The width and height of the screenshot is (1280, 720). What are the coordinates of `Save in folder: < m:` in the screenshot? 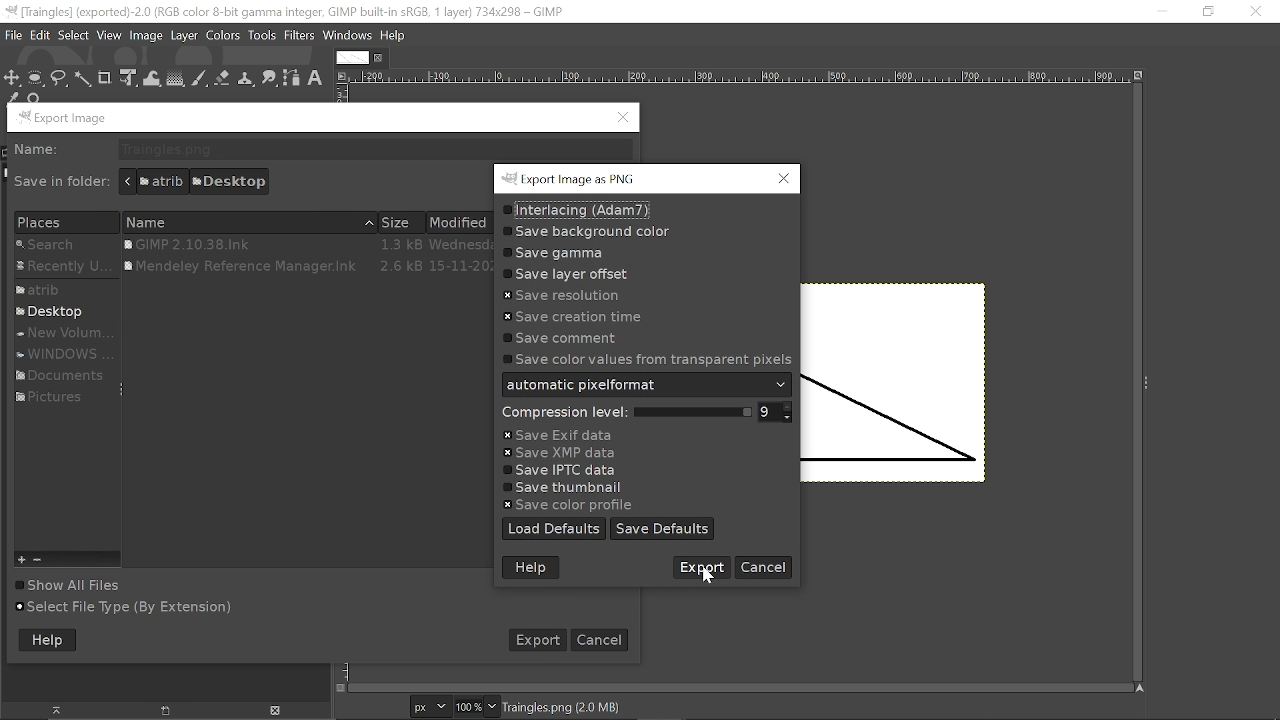 It's located at (62, 182).